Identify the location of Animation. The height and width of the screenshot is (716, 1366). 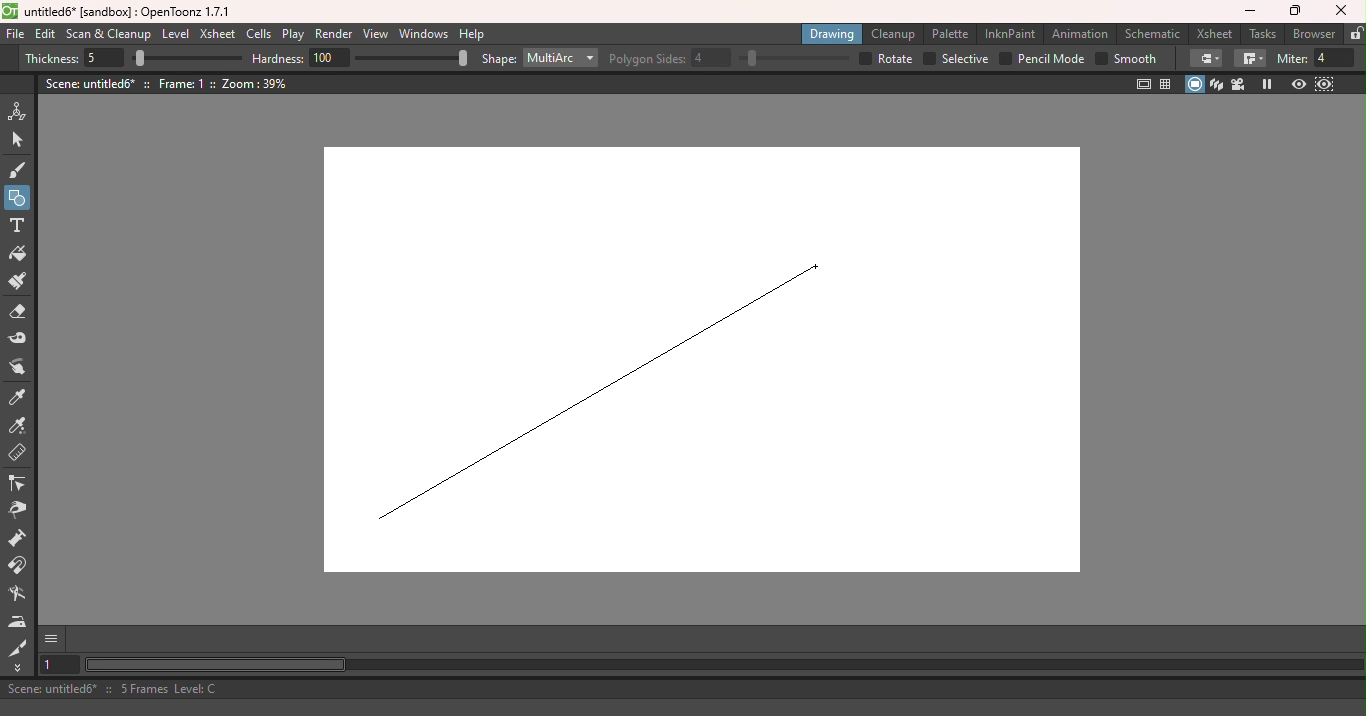
(1080, 32).